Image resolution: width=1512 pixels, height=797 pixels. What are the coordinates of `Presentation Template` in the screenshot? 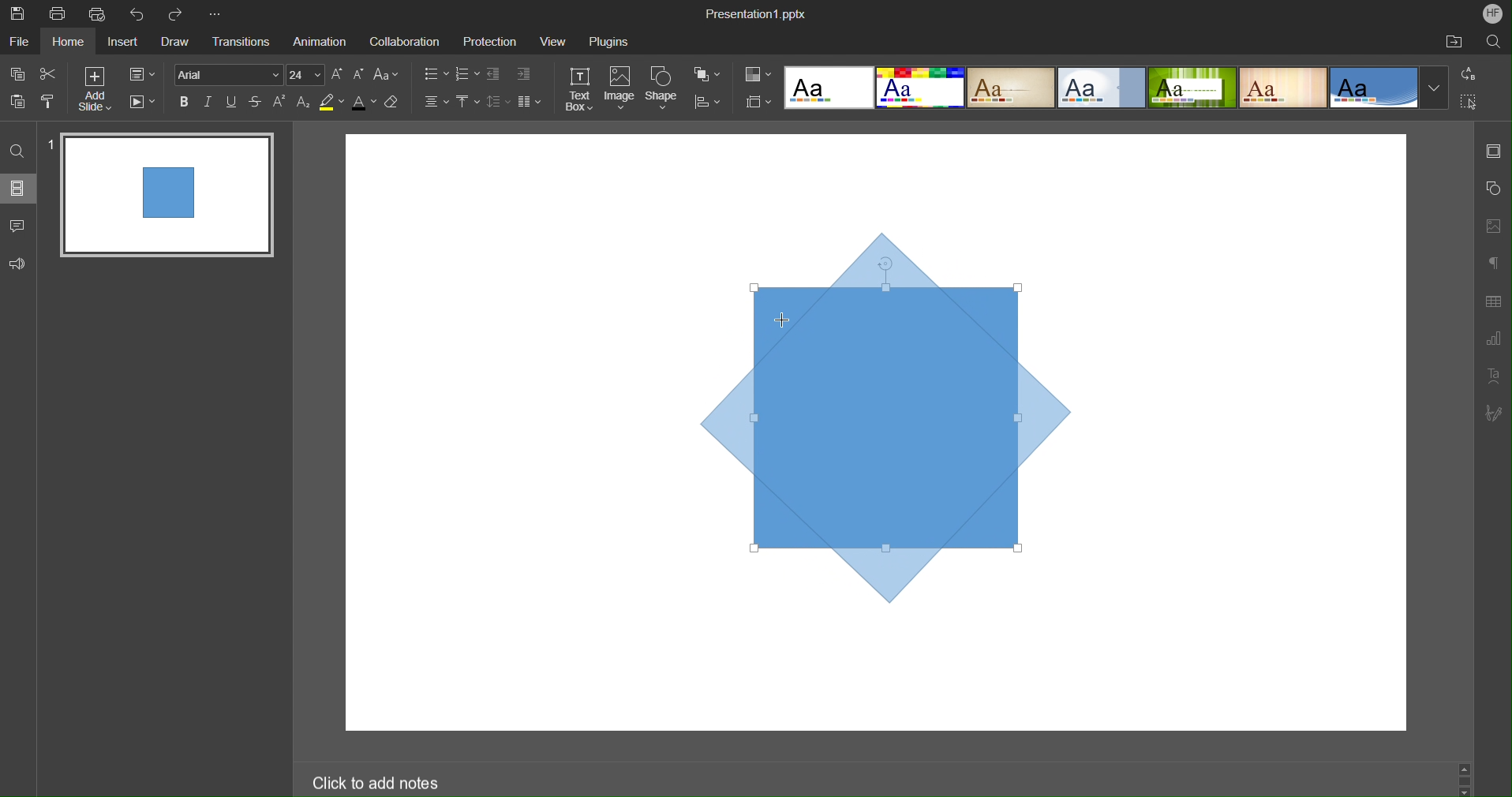 It's located at (1110, 89).